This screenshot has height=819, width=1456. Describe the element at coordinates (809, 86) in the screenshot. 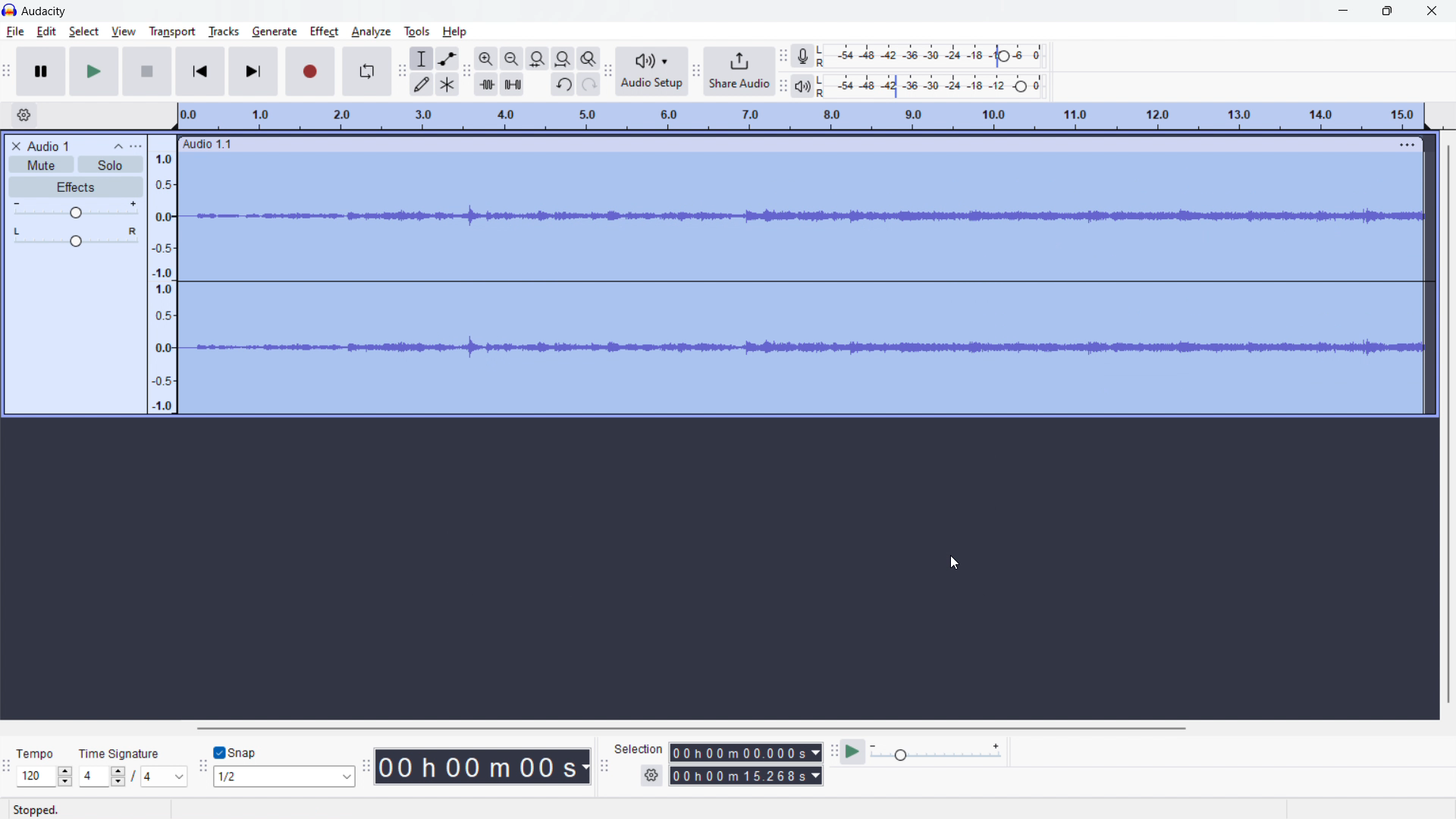

I see `playback meter` at that location.